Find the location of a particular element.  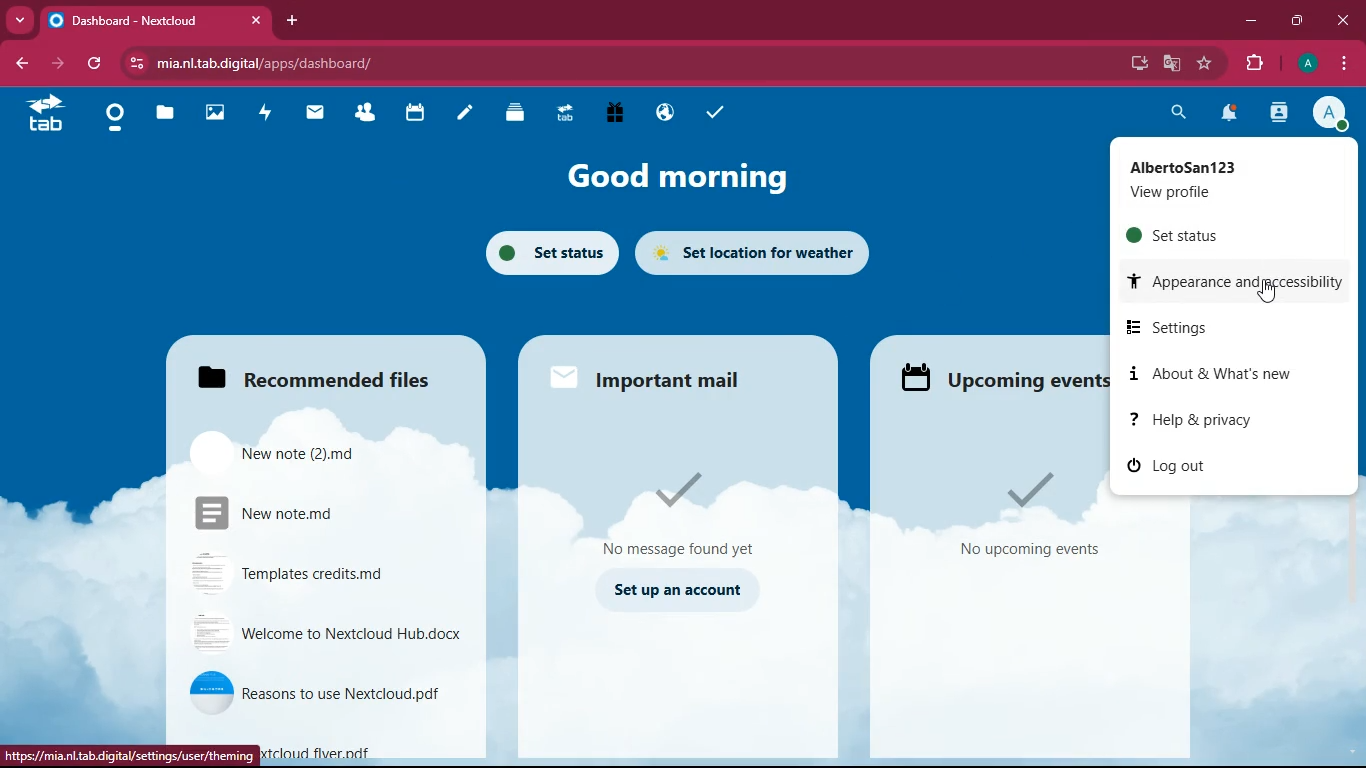

tab is located at coordinates (49, 117).